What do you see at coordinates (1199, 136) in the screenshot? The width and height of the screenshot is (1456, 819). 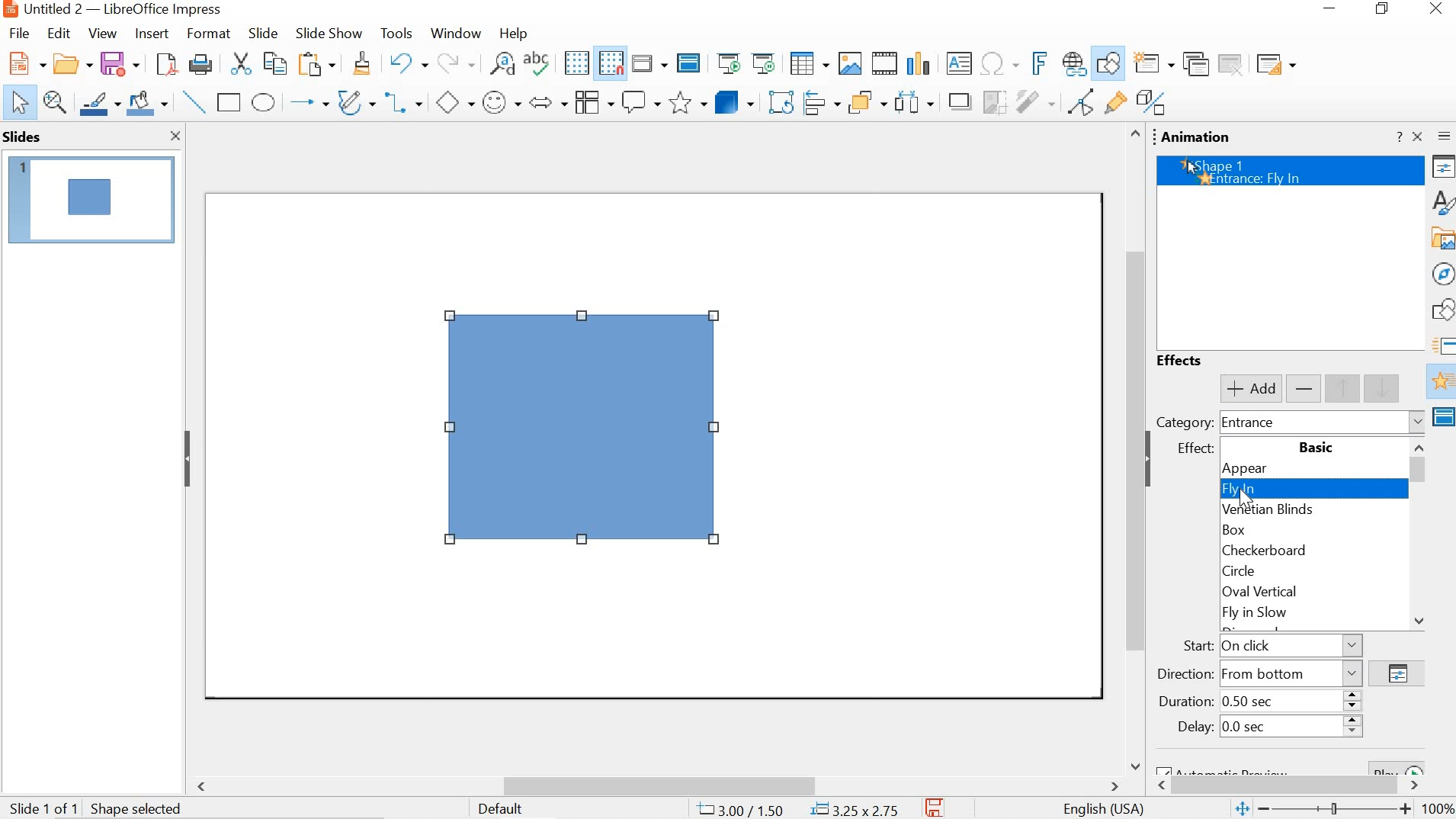 I see `animation` at bounding box center [1199, 136].